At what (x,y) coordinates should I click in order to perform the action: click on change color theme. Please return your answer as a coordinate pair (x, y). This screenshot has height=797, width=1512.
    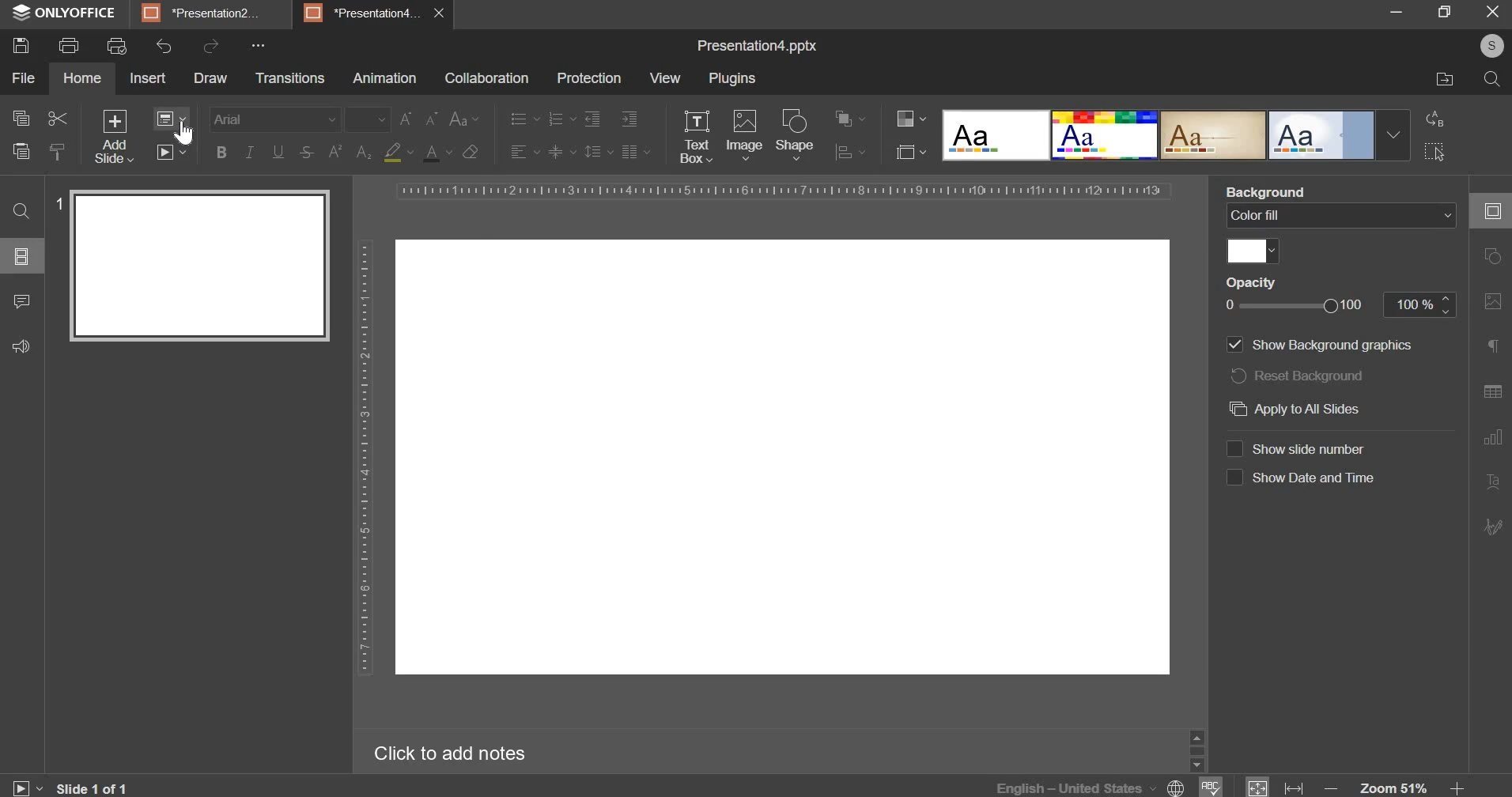
    Looking at the image, I should click on (905, 119).